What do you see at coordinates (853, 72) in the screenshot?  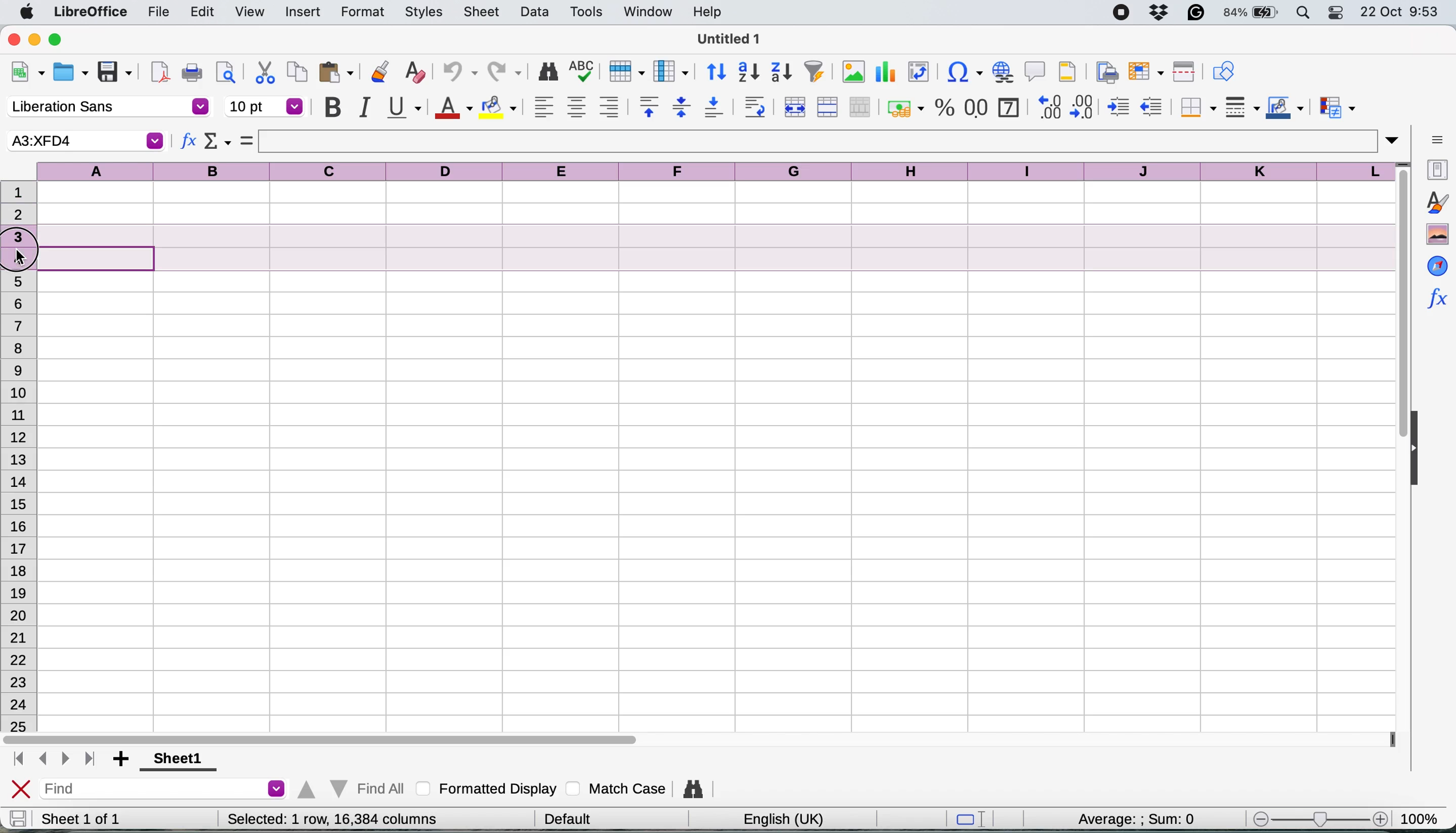 I see `insert image` at bounding box center [853, 72].